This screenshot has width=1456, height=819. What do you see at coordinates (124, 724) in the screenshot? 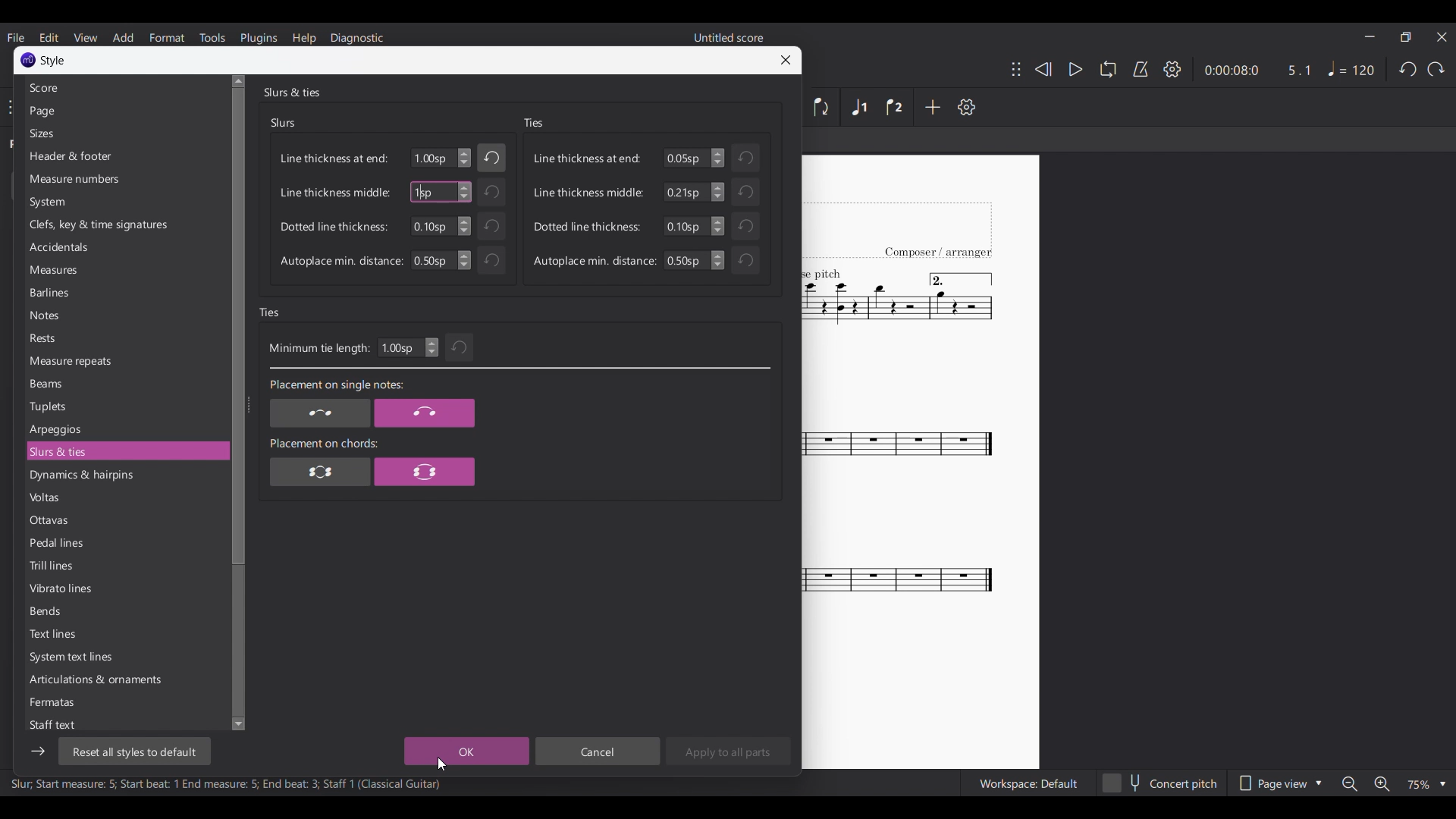
I see `Staff text` at bounding box center [124, 724].